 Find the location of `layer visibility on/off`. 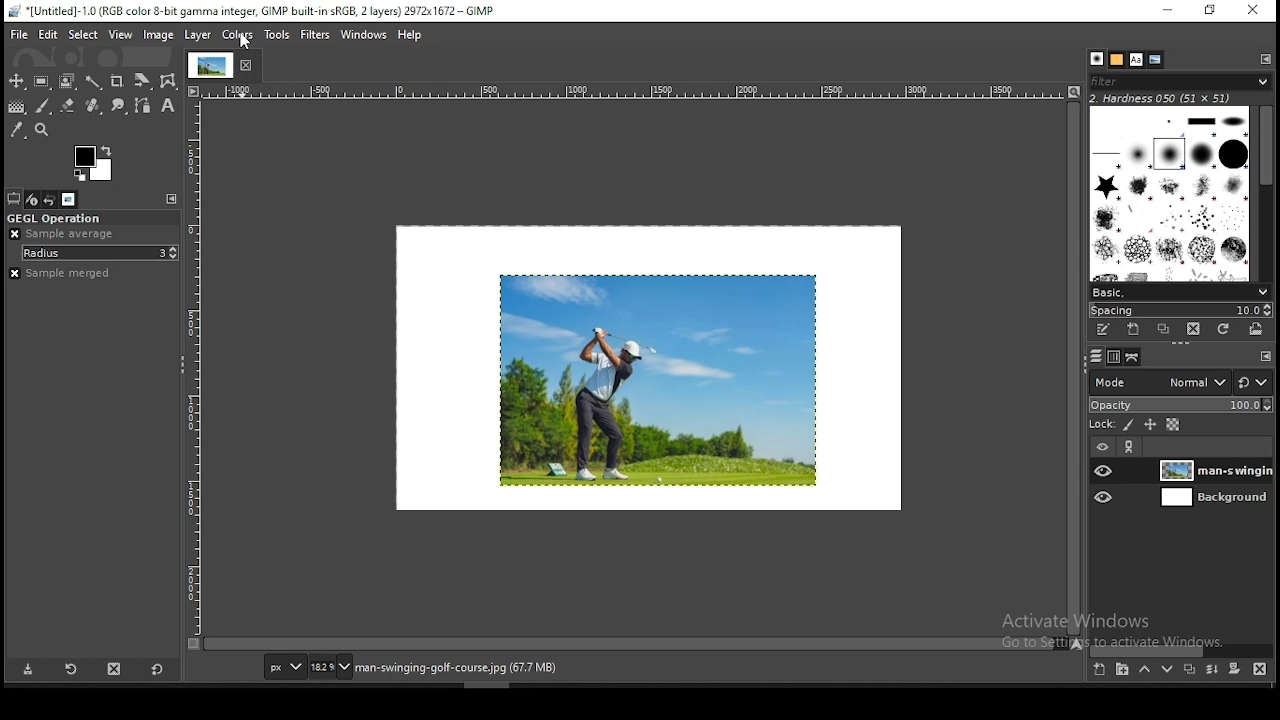

layer visibility on/off is located at coordinates (1102, 471).